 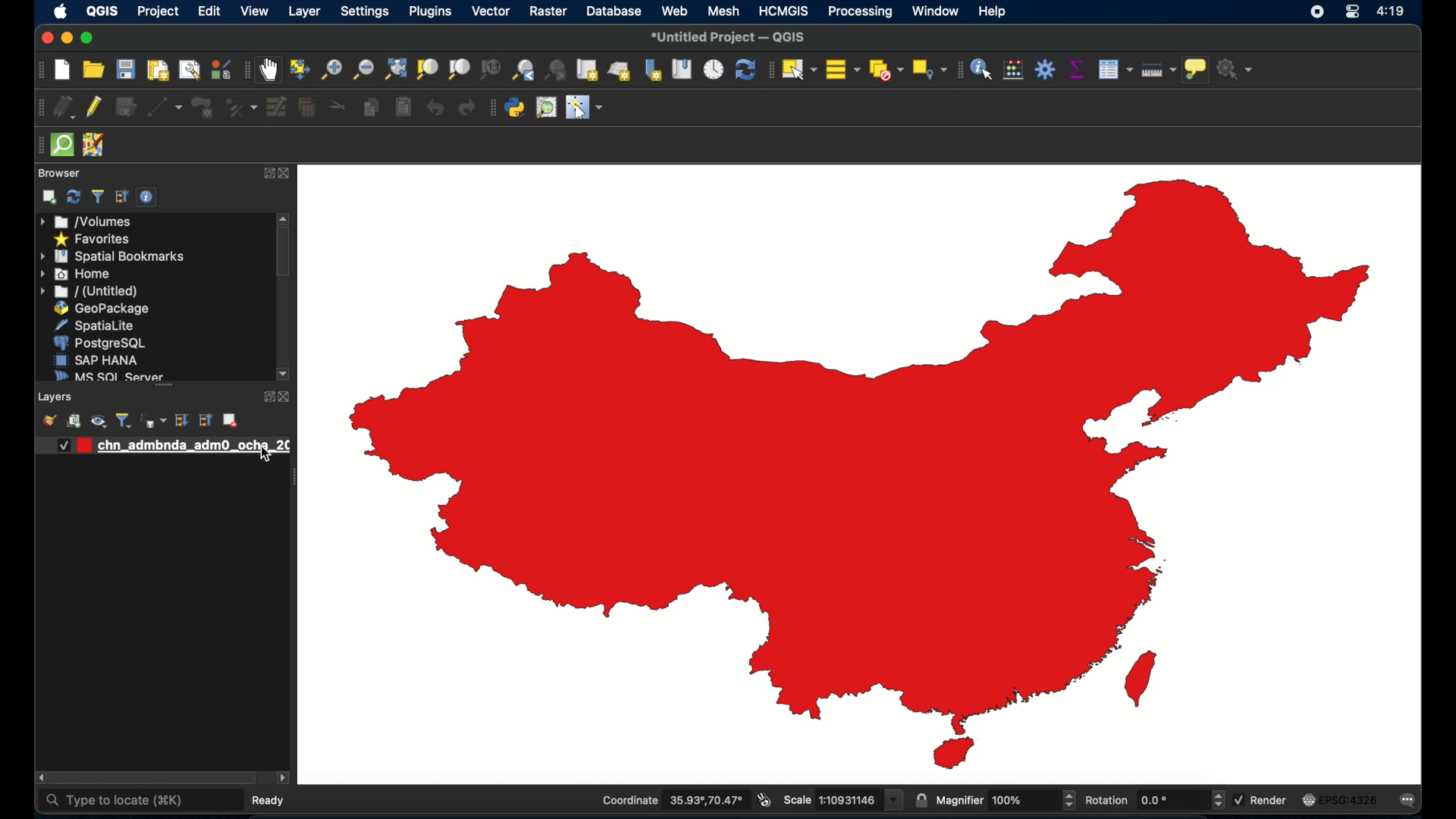 What do you see at coordinates (428, 69) in the screenshot?
I see `zoom to selection` at bounding box center [428, 69].